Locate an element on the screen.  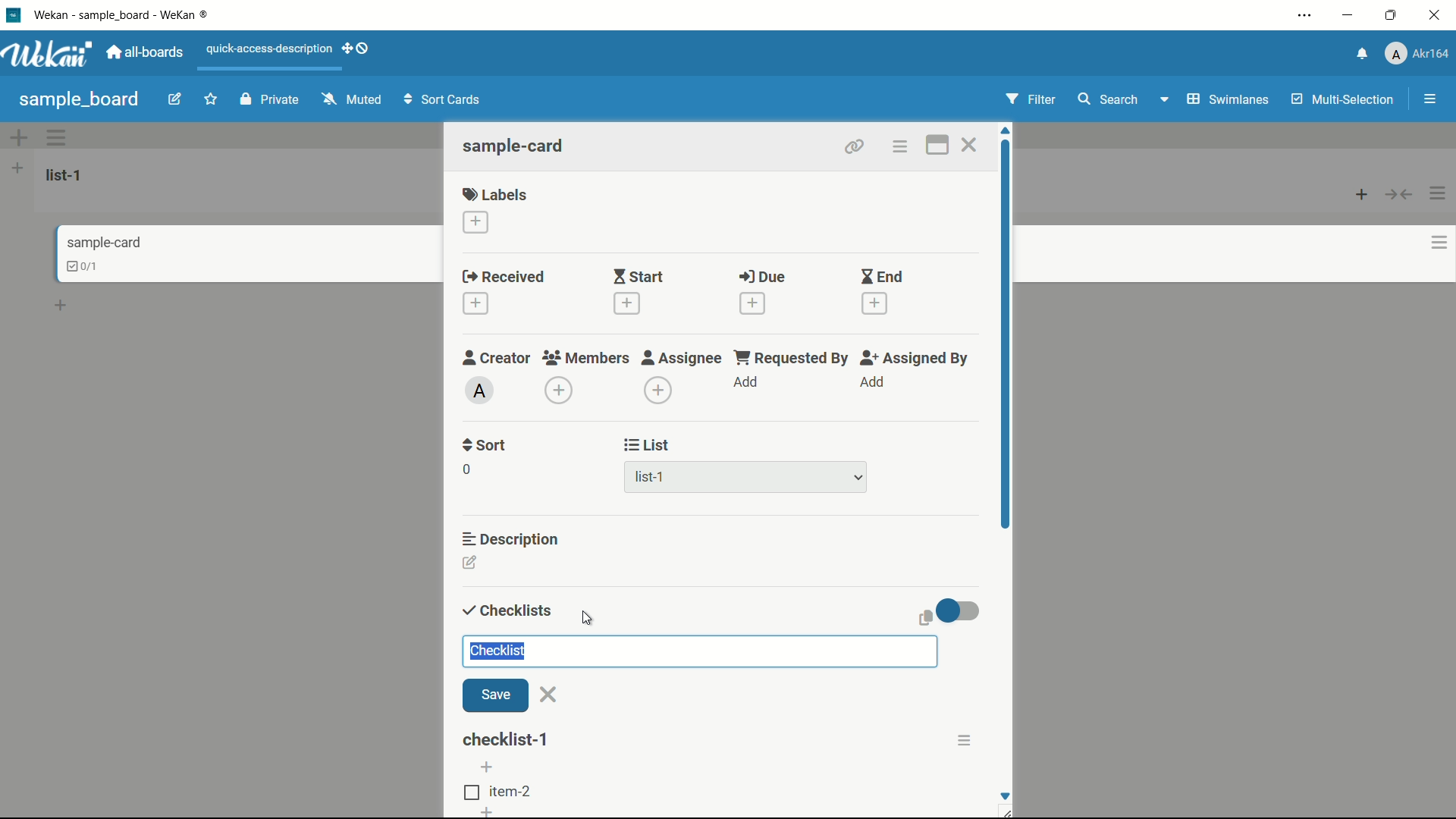
sort is located at coordinates (485, 445).